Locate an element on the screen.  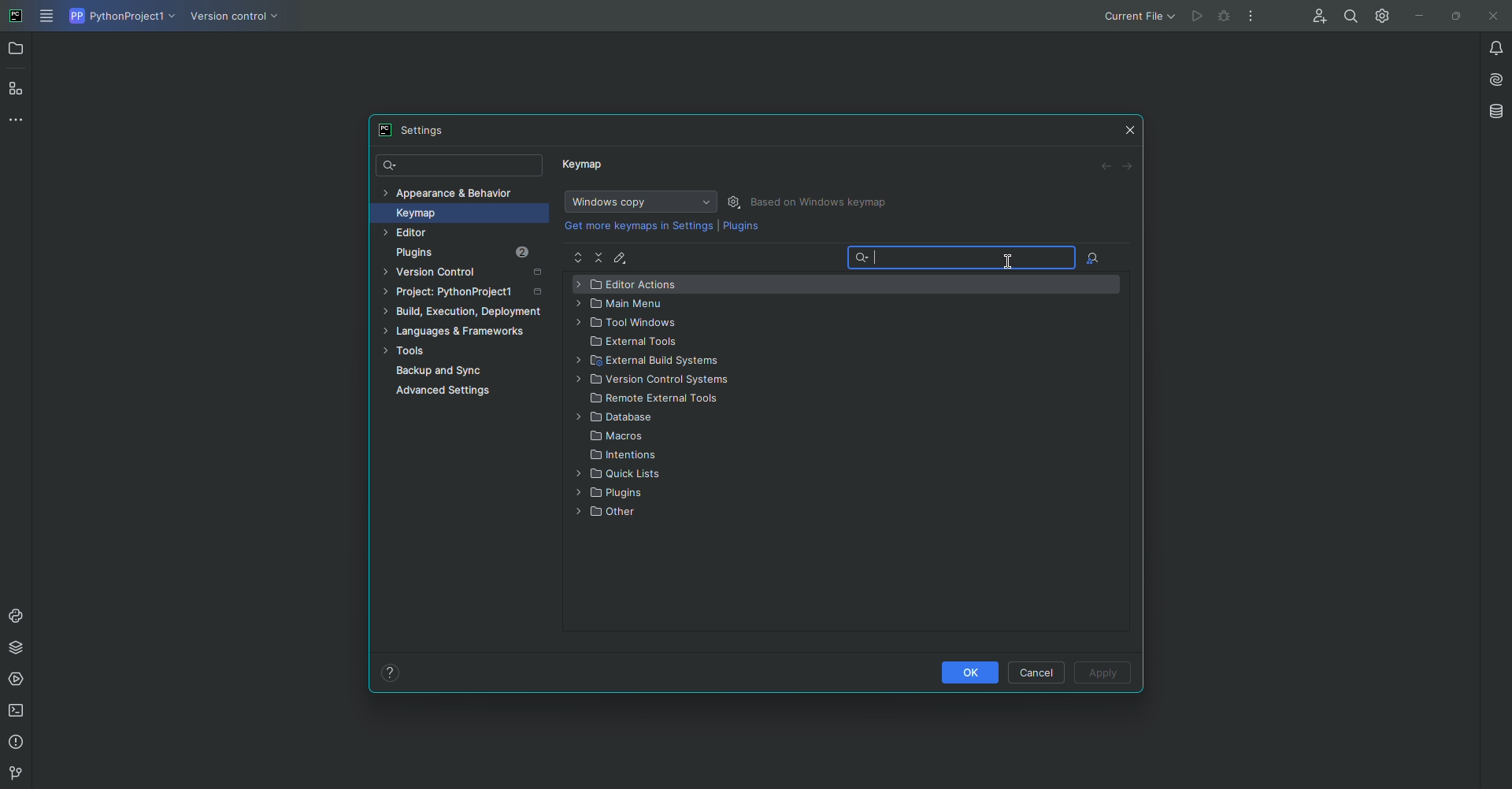
Minimize is located at coordinates (1415, 16).